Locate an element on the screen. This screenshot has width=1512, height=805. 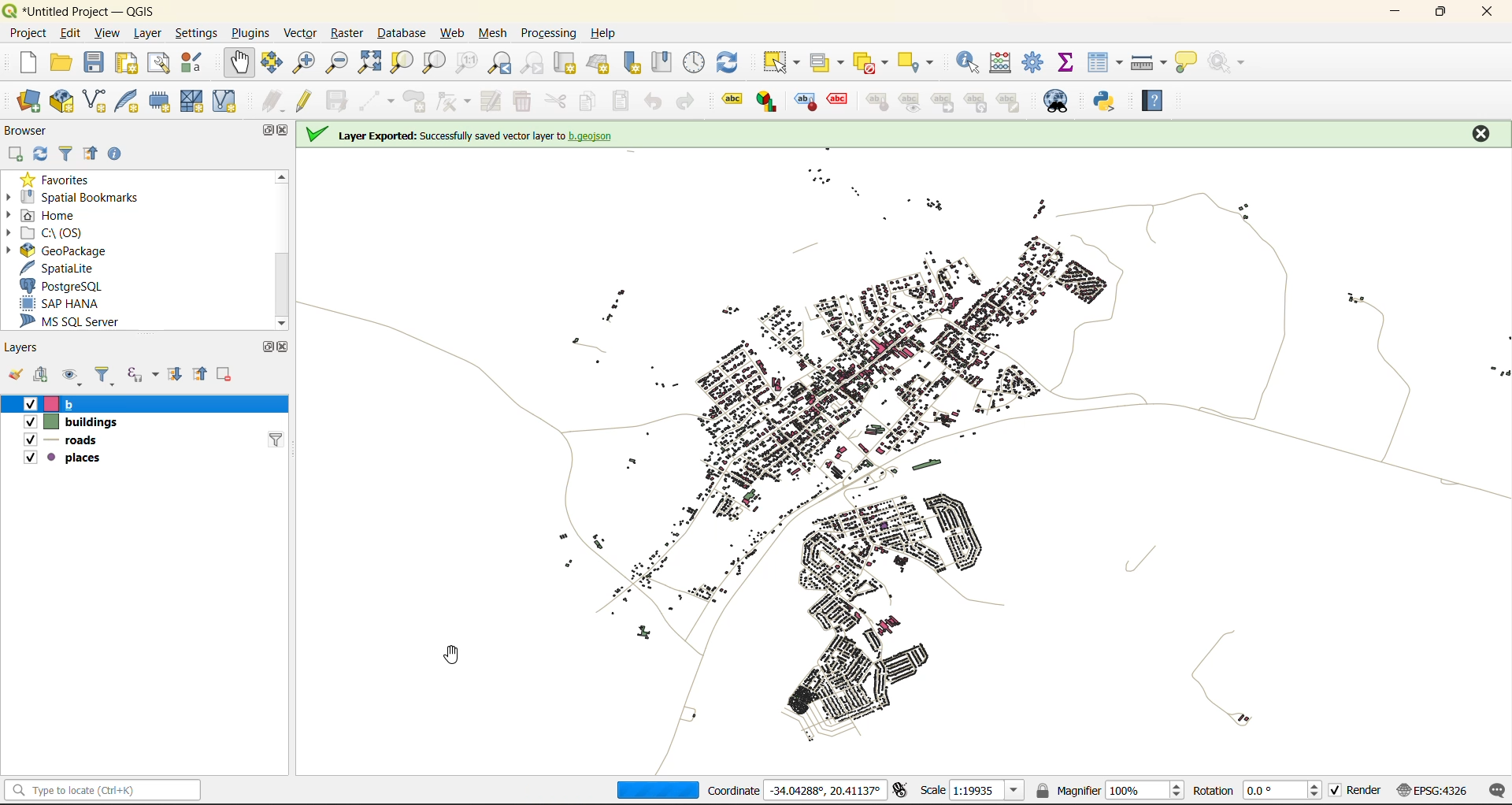
zoom out is located at coordinates (339, 63).